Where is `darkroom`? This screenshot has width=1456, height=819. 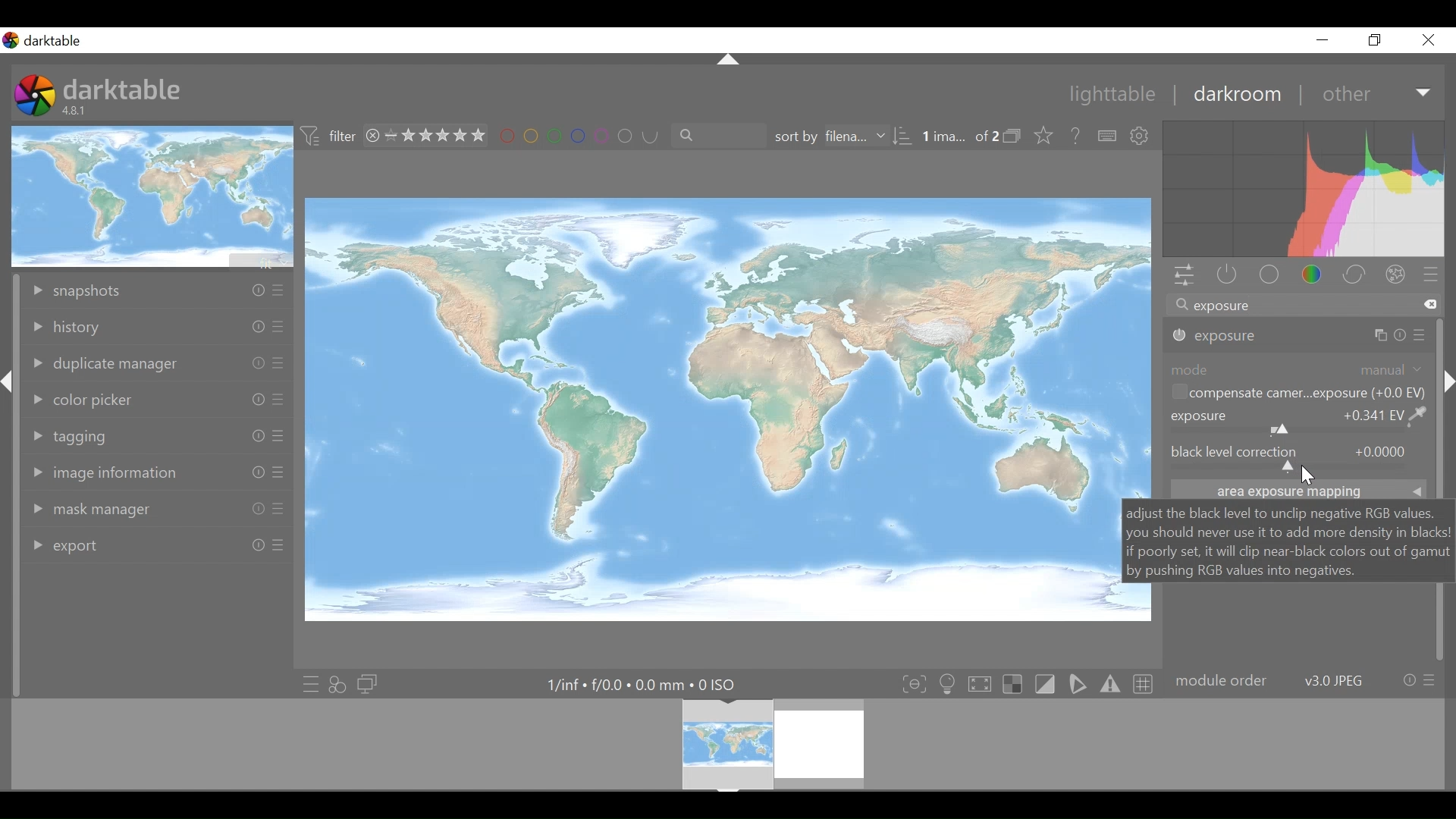
darkroom is located at coordinates (1235, 93).